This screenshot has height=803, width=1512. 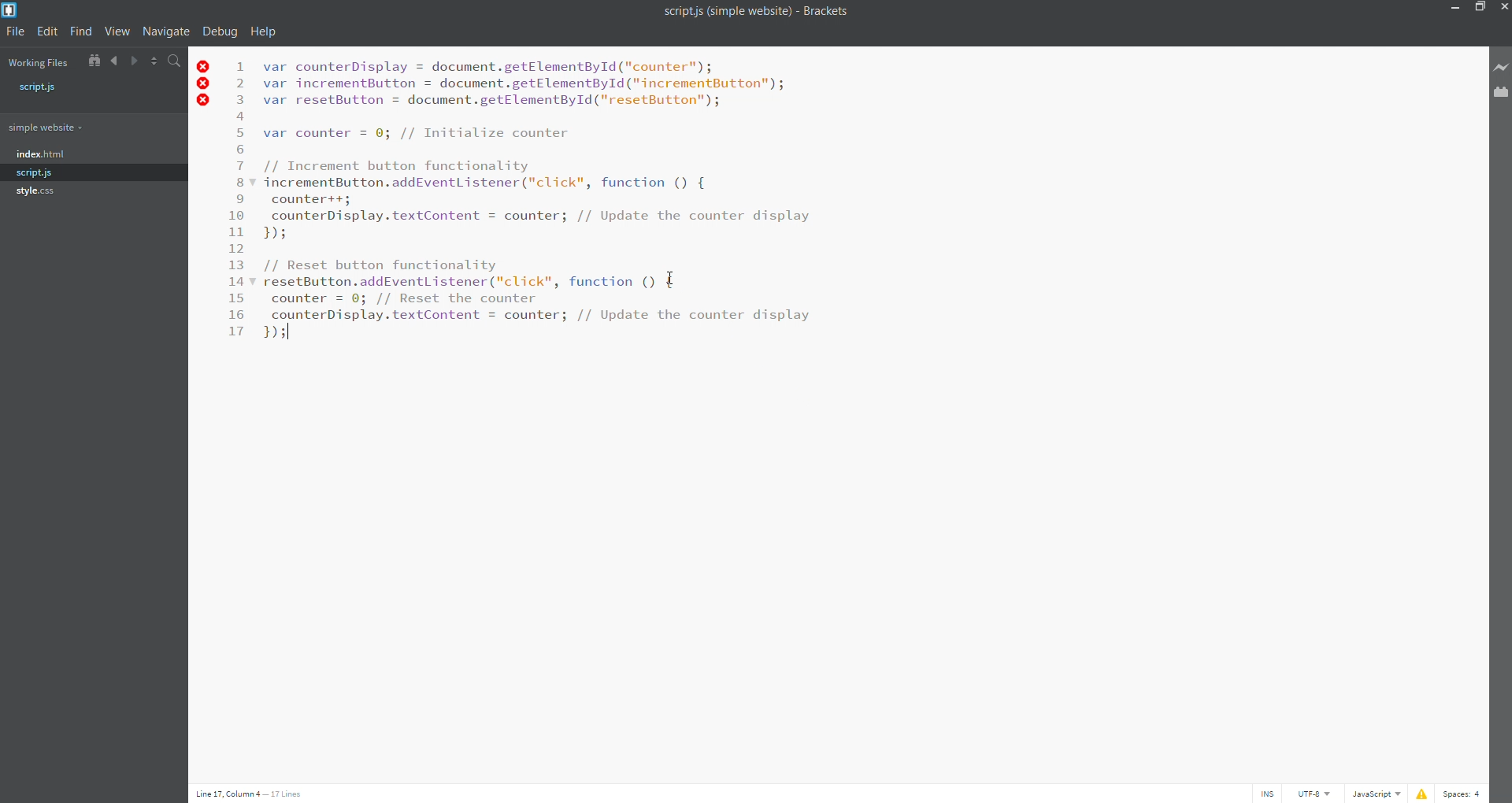 What do you see at coordinates (14, 32) in the screenshot?
I see `file` at bounding box center [14, 32].